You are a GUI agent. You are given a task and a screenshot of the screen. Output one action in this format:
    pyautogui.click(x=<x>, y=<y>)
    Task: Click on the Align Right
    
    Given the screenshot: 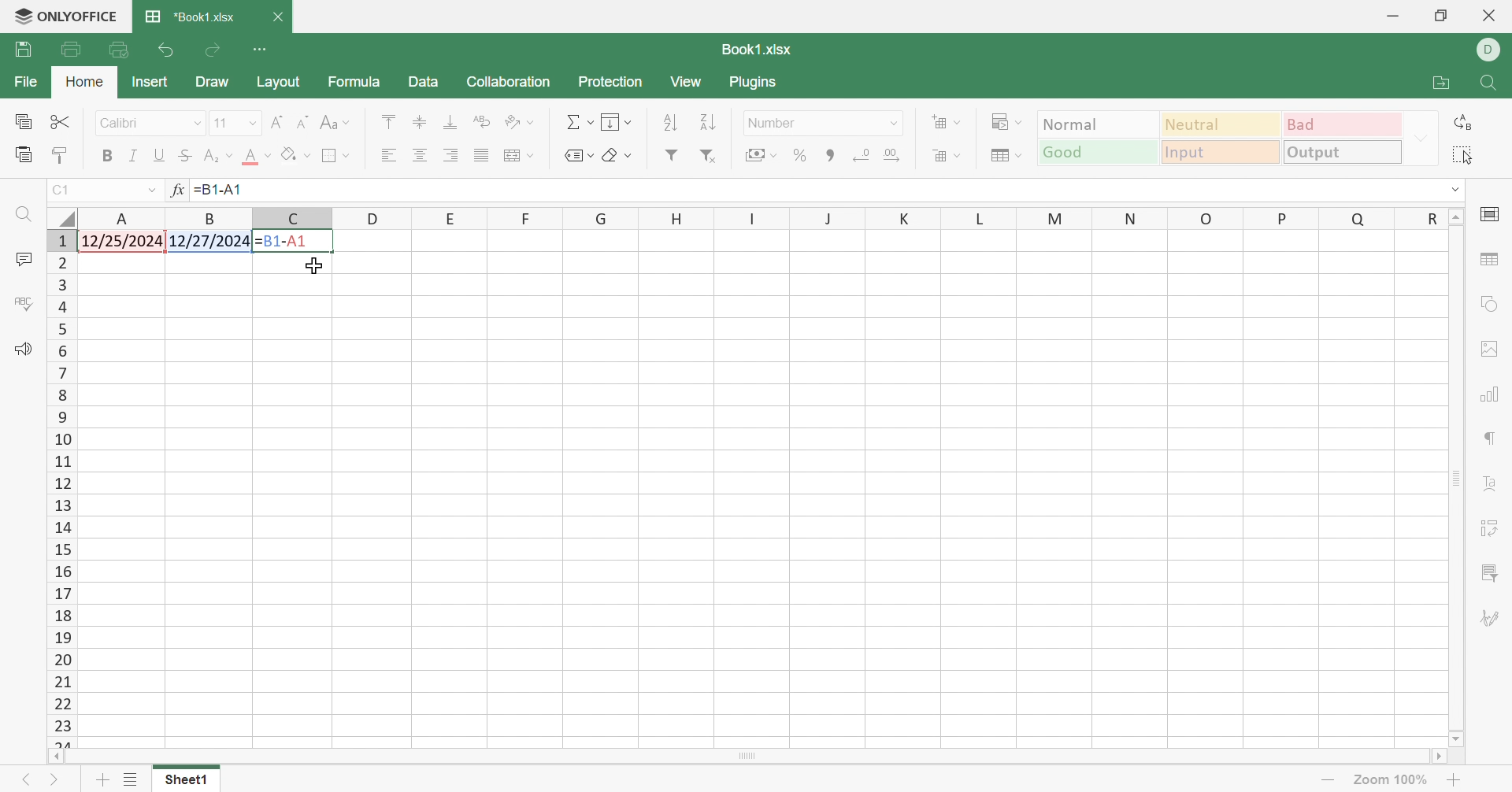 What is the action you would take?
    pyautogui.click(x=450, y=156)
    